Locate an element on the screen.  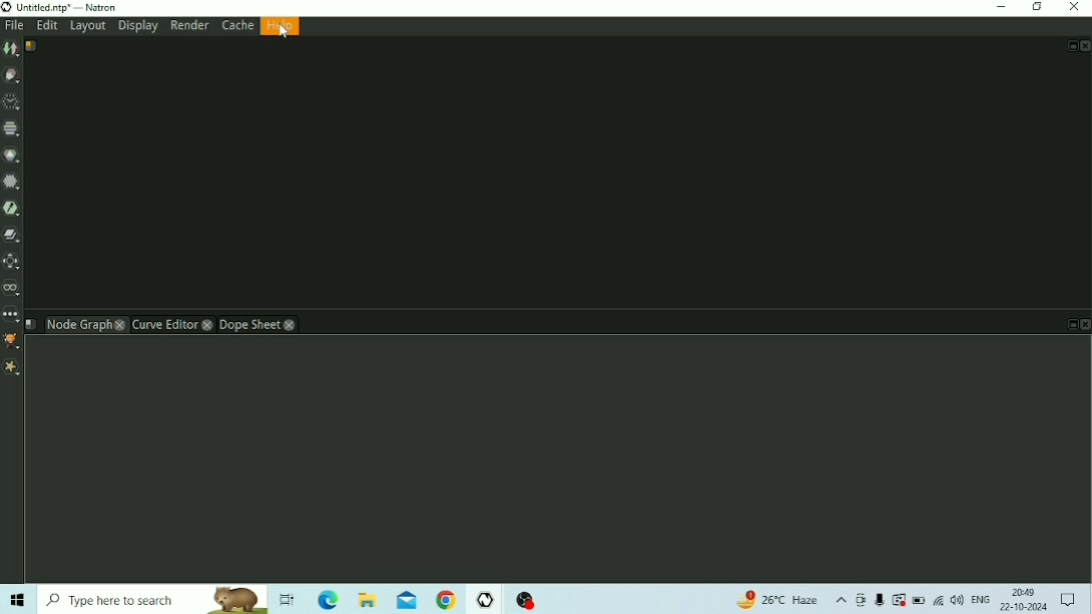
Show hidden icons is located at coordinates (841, 600).